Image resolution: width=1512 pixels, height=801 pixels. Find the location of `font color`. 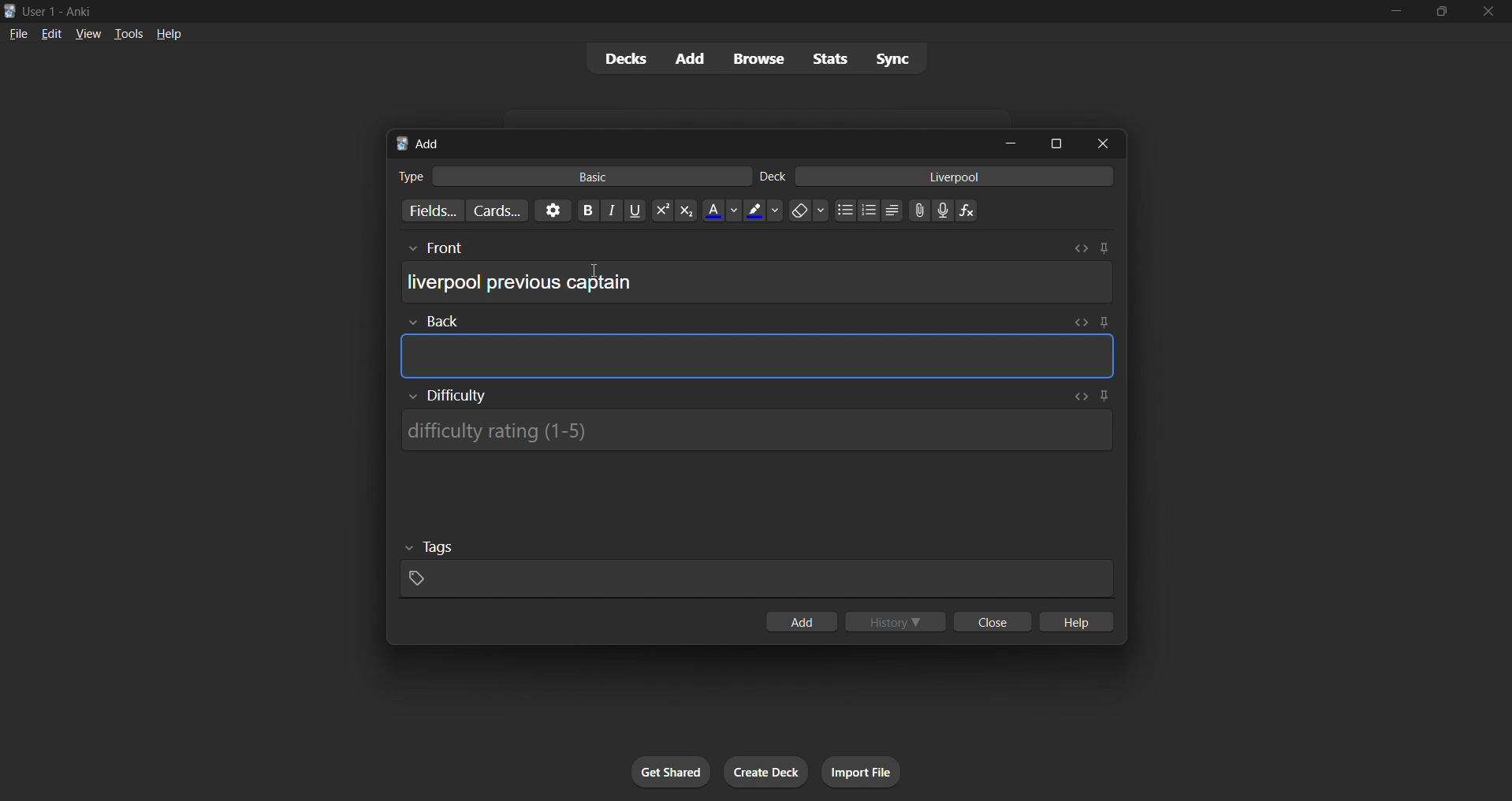

font color is located at coordinates (717, 209).